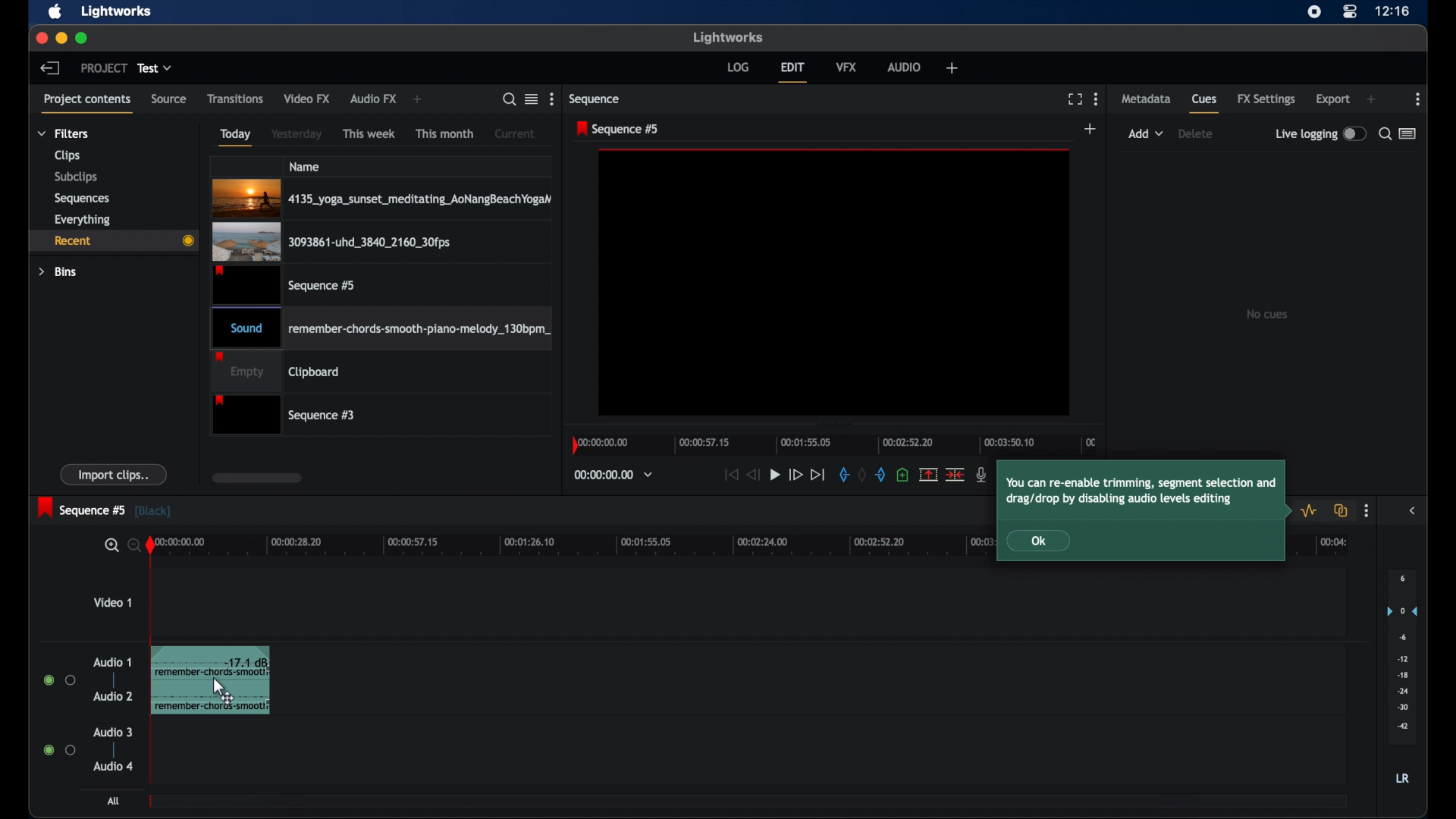 This screenshot has height=819, width=1456. I want to click on this week, so click(370, 133).